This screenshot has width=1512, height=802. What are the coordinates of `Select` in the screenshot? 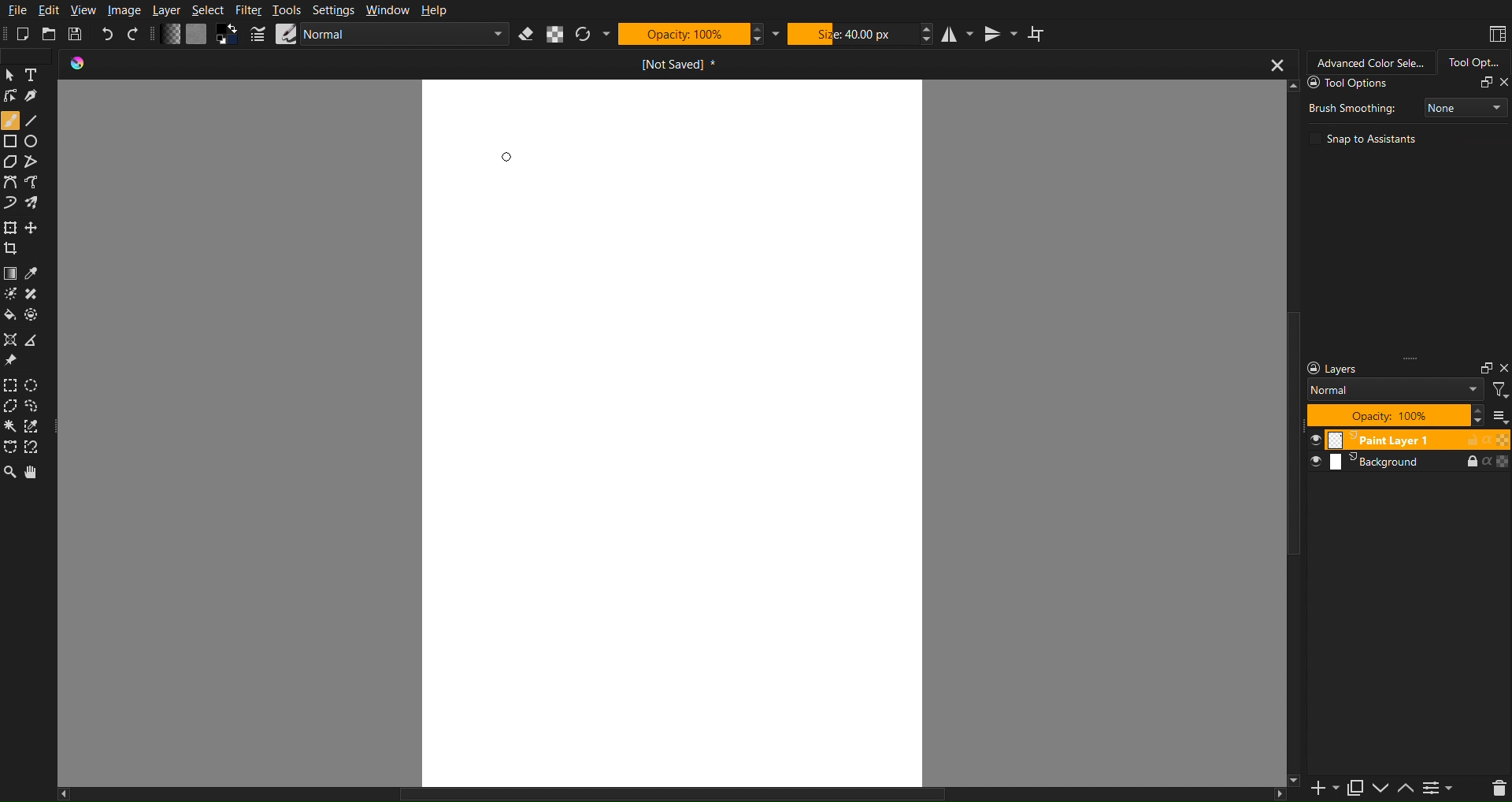 It's located at (209, 10).